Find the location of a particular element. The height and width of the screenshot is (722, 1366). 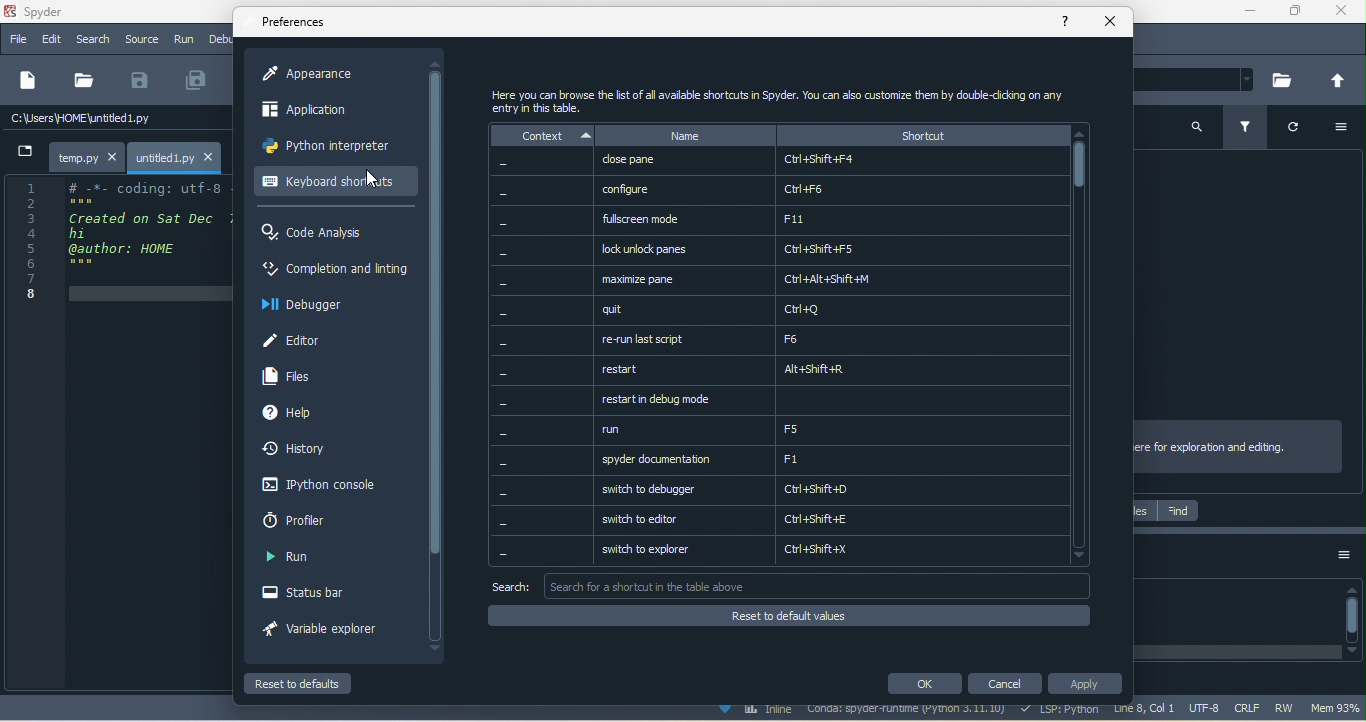

ok is located at coordinates (923, 684).